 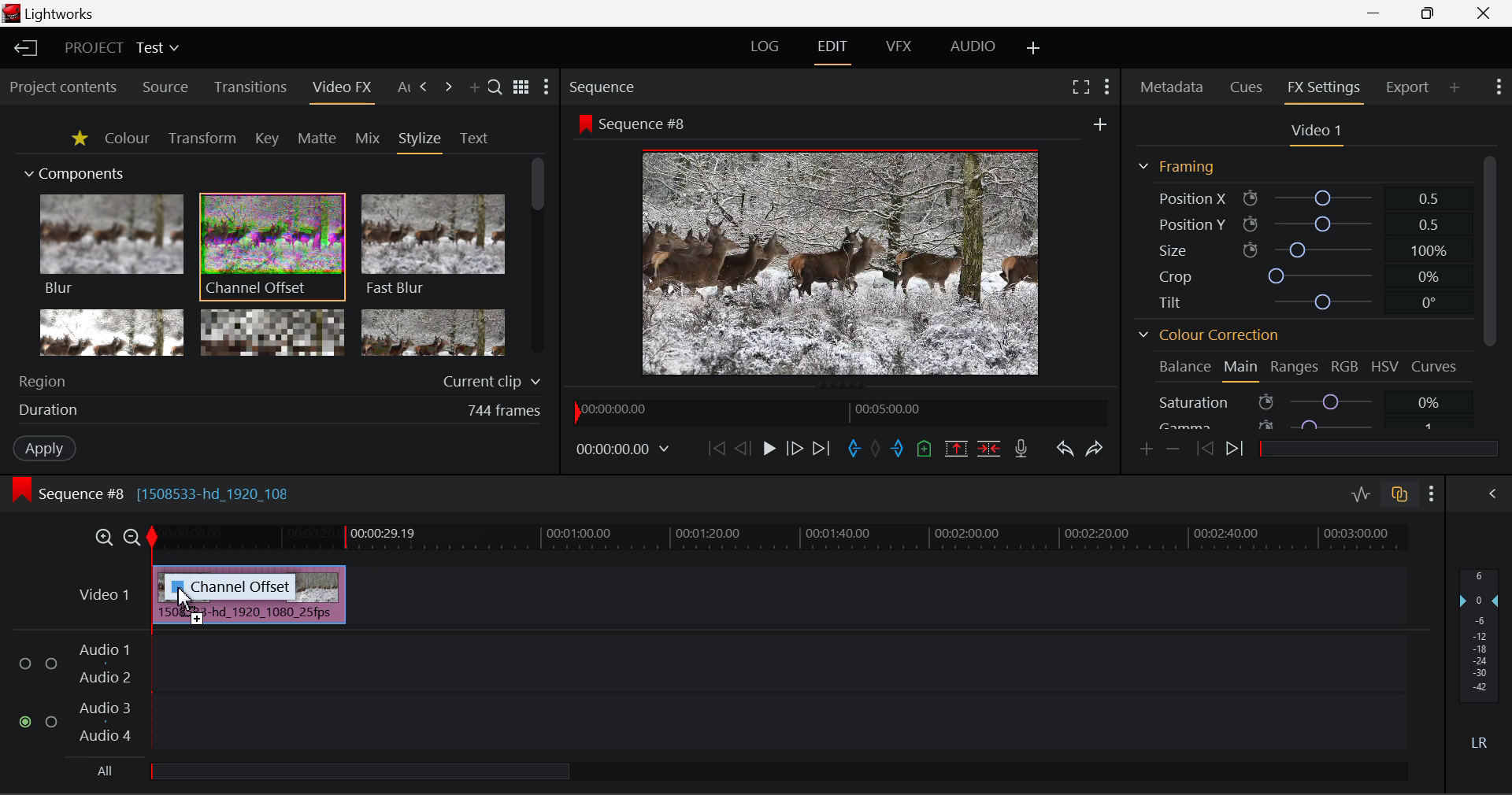 What do you see at coordinates (1237, 451) in the screenshot?
I see `Next keyframe` at bounding box center [1237, 451].